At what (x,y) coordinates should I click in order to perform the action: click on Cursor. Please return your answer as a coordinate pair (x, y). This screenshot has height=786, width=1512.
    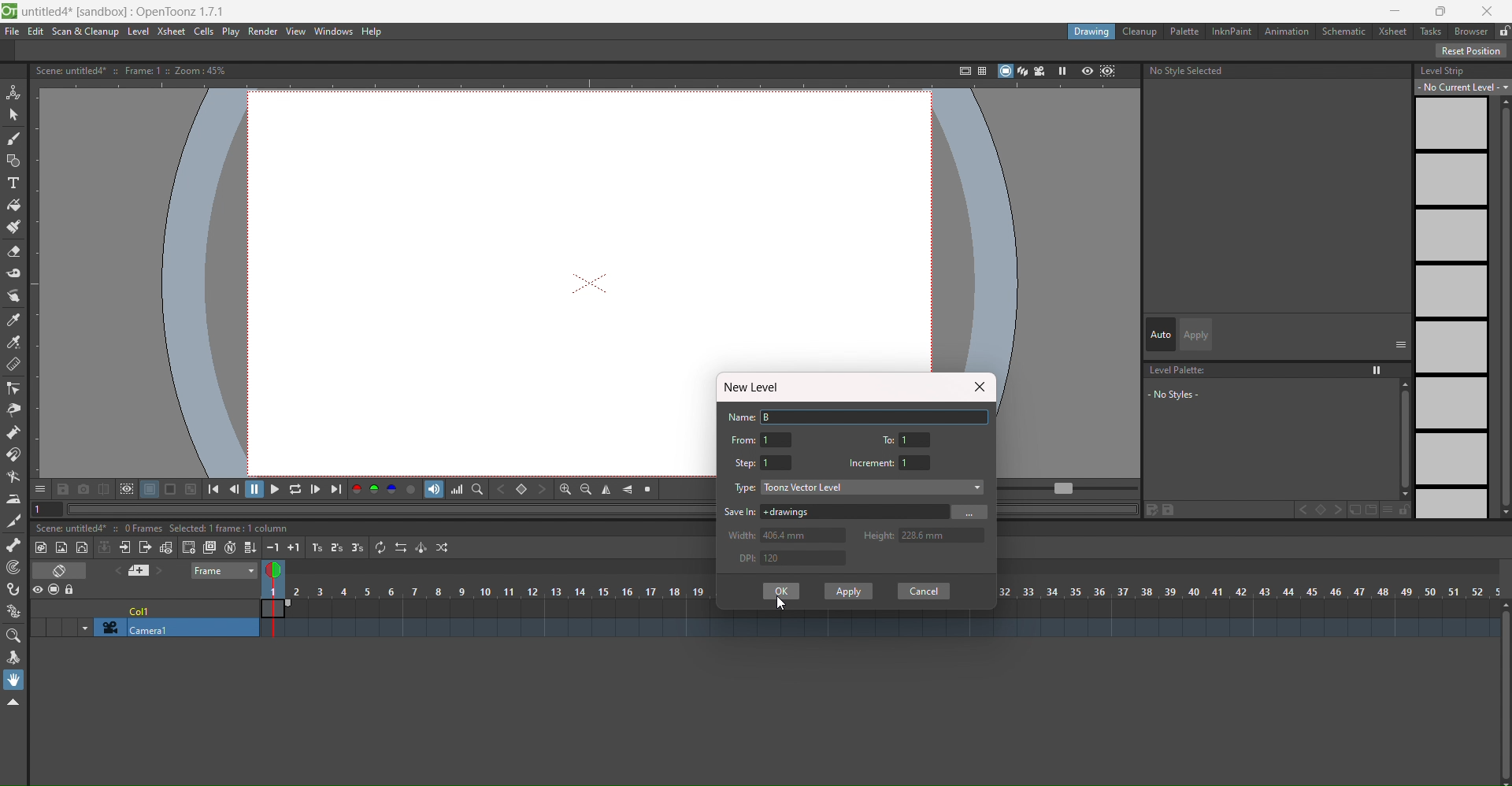
    Looking at the image, I should click on (781, 604).